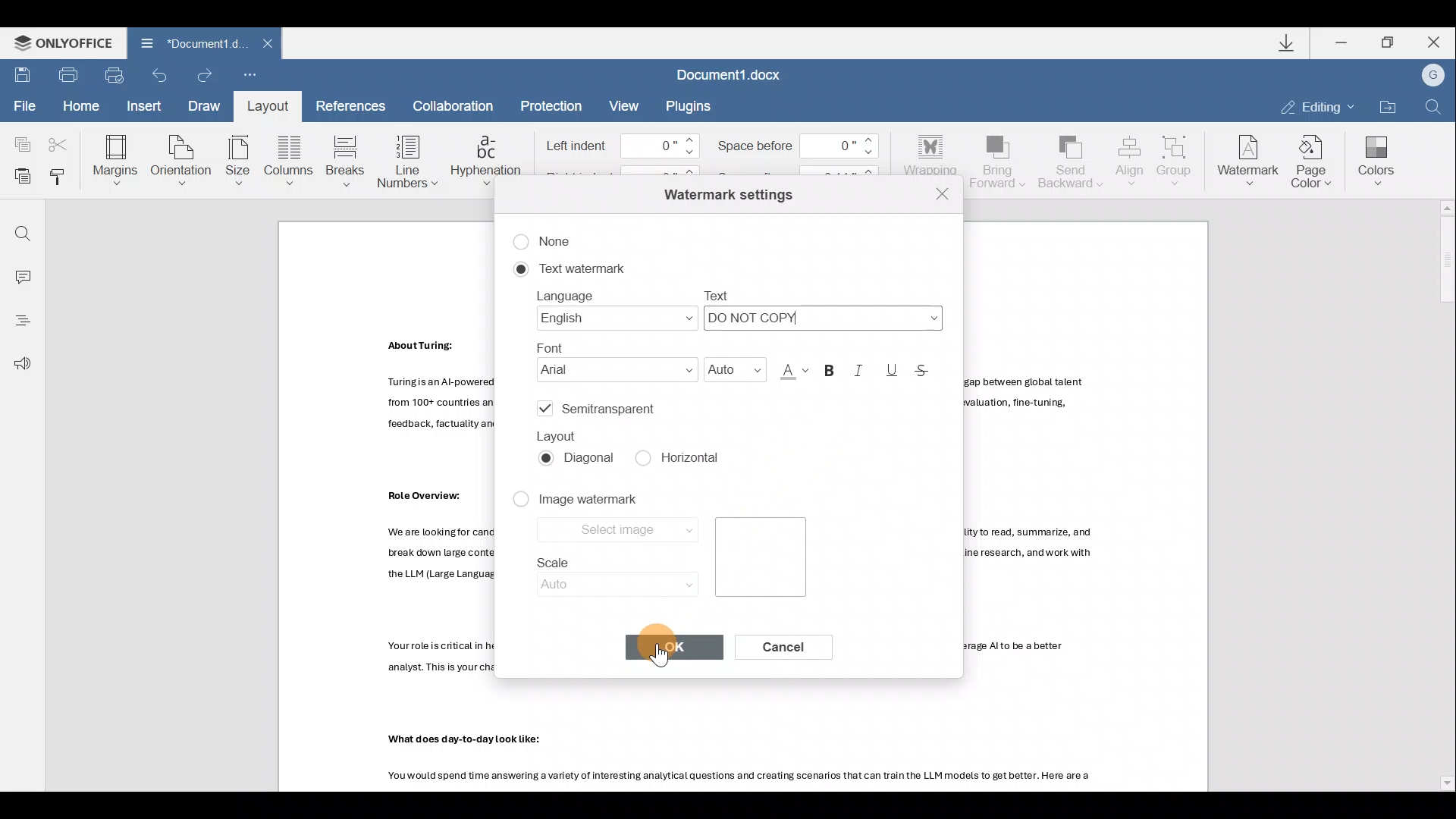  I want to click on Underline, so click(893, 369).